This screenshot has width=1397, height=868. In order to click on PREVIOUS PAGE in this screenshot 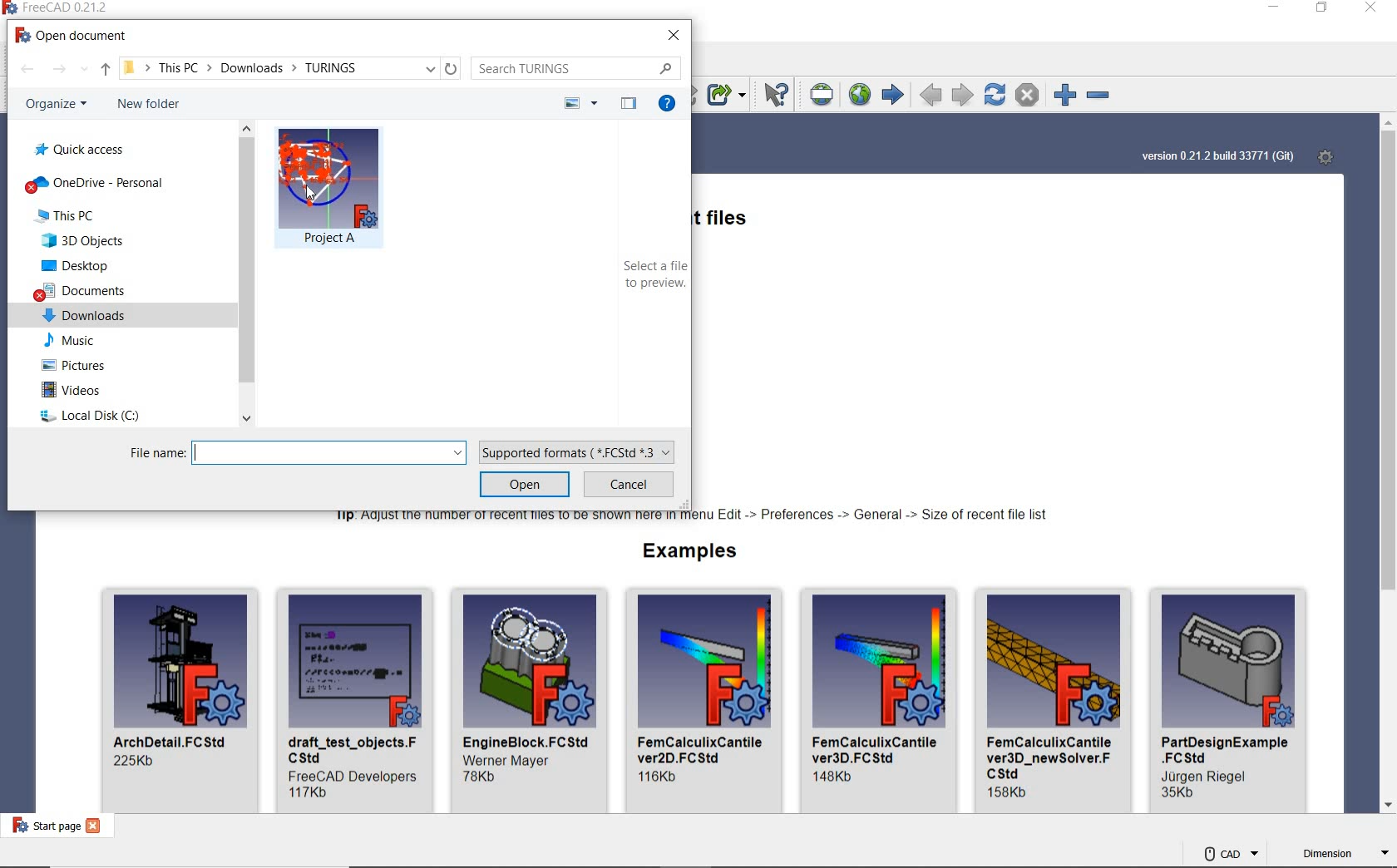, I will do `click(931, 96)`.